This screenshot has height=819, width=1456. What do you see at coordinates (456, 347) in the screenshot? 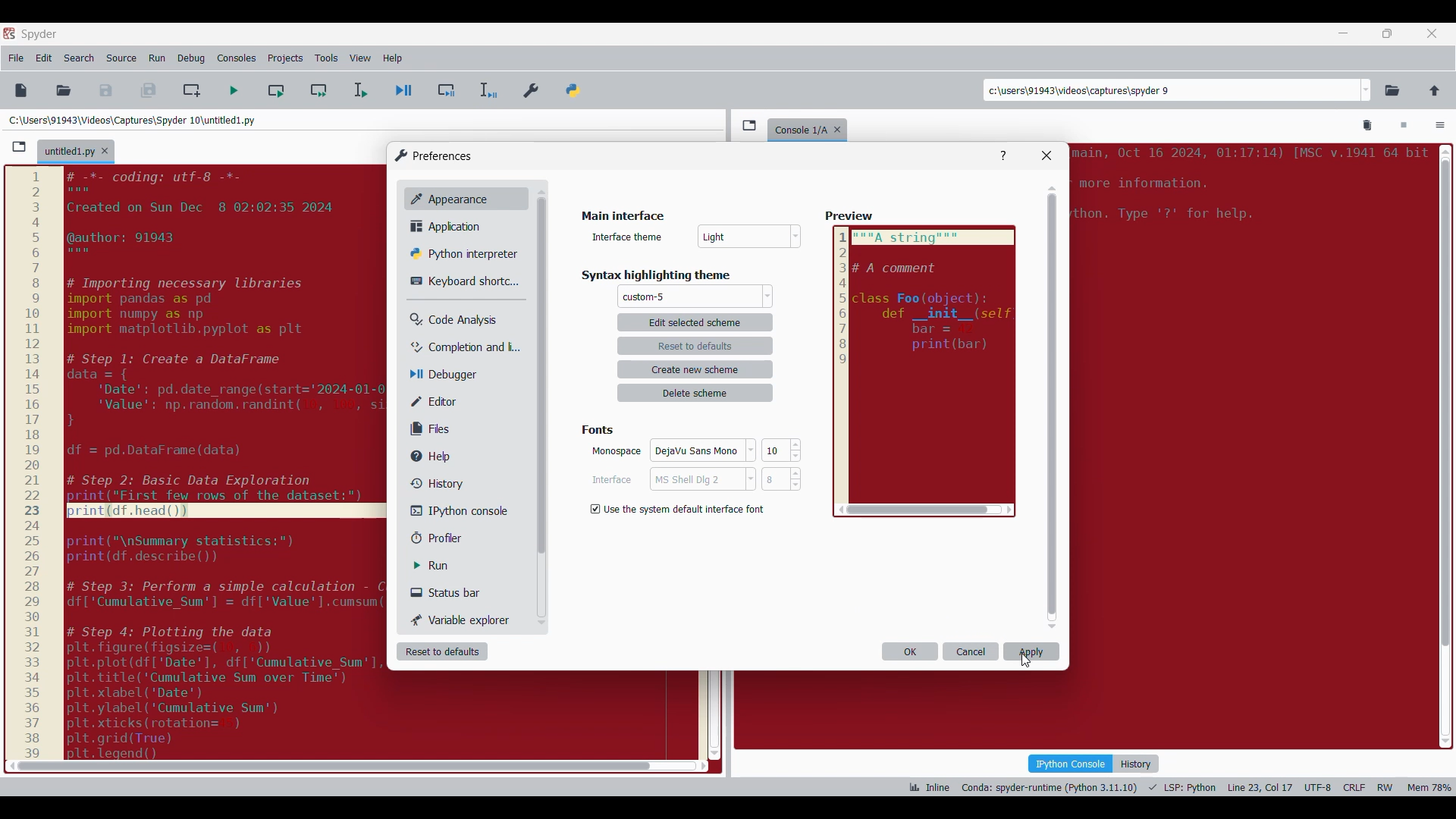
I see `Completion and linting` at bounding box center [456, 347].